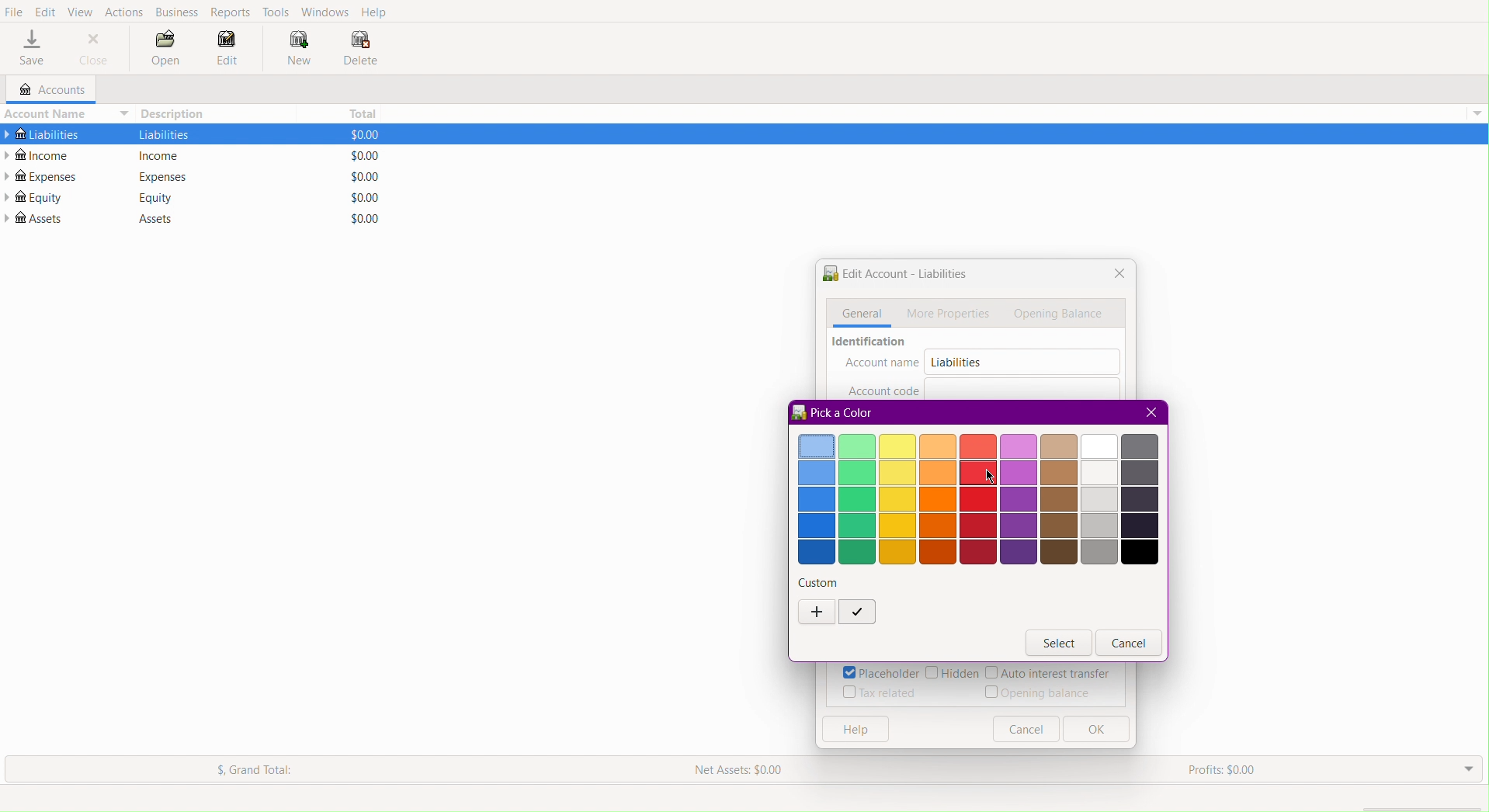  What do you see at coordinates (1221, 771) in the screenshot?
I see `Profits` at bounding box center [1221, 771].